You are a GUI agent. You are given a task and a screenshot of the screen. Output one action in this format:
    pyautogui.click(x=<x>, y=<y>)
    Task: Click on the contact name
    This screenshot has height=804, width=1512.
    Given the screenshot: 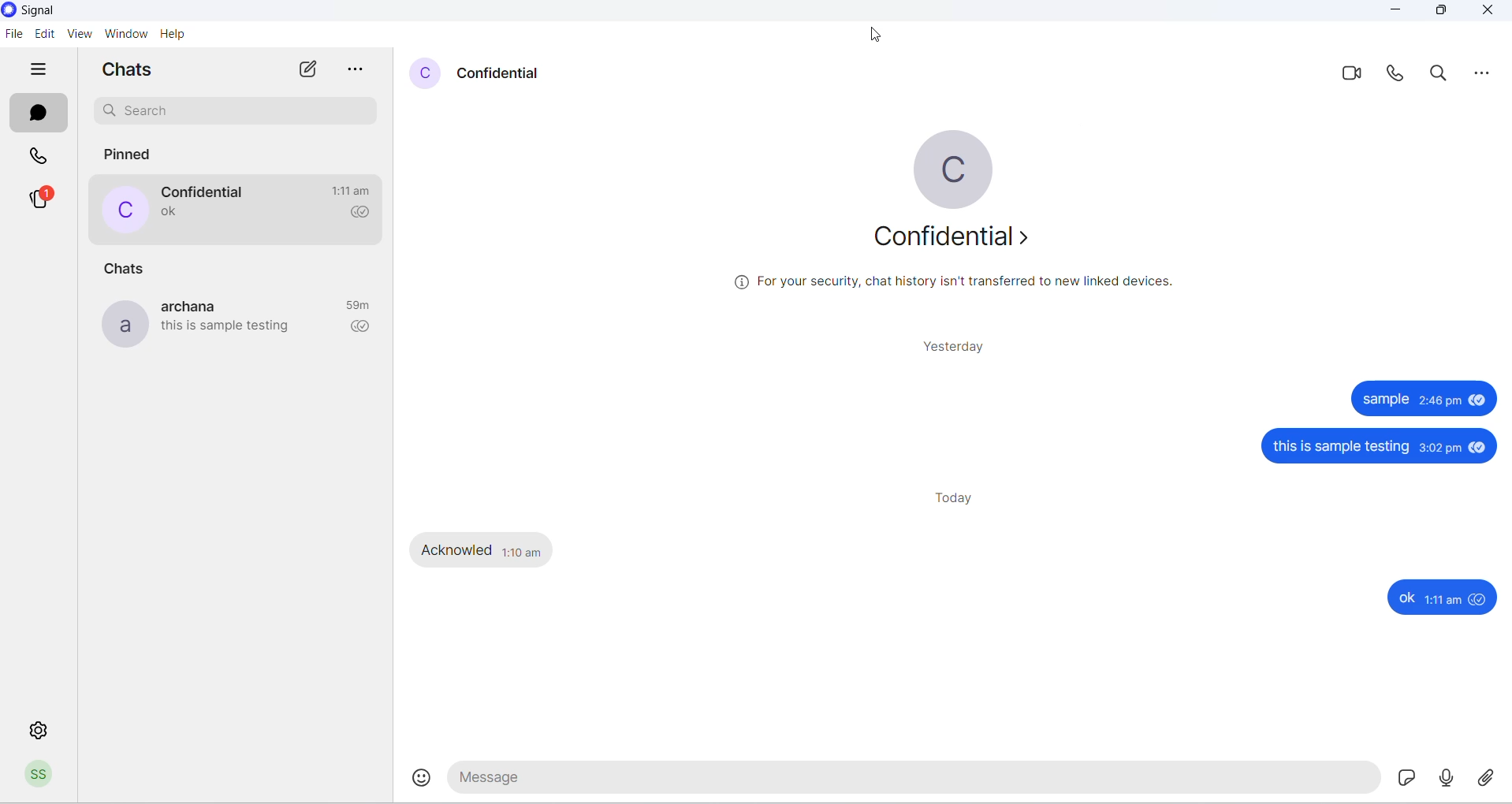 What is the action you would take?
    pyautogui.click(x=210, y=190)
    